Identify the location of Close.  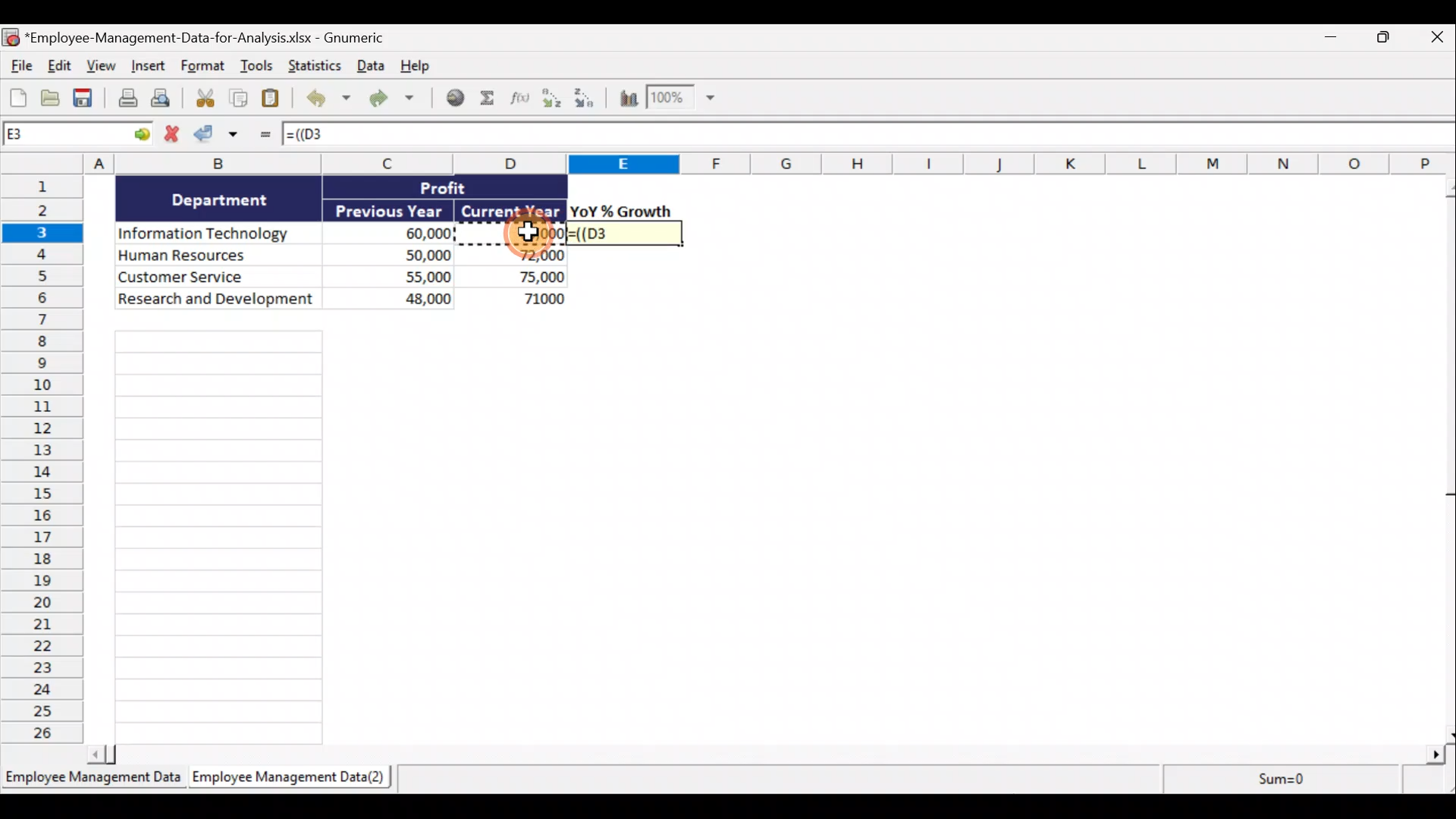
(1437, 36).